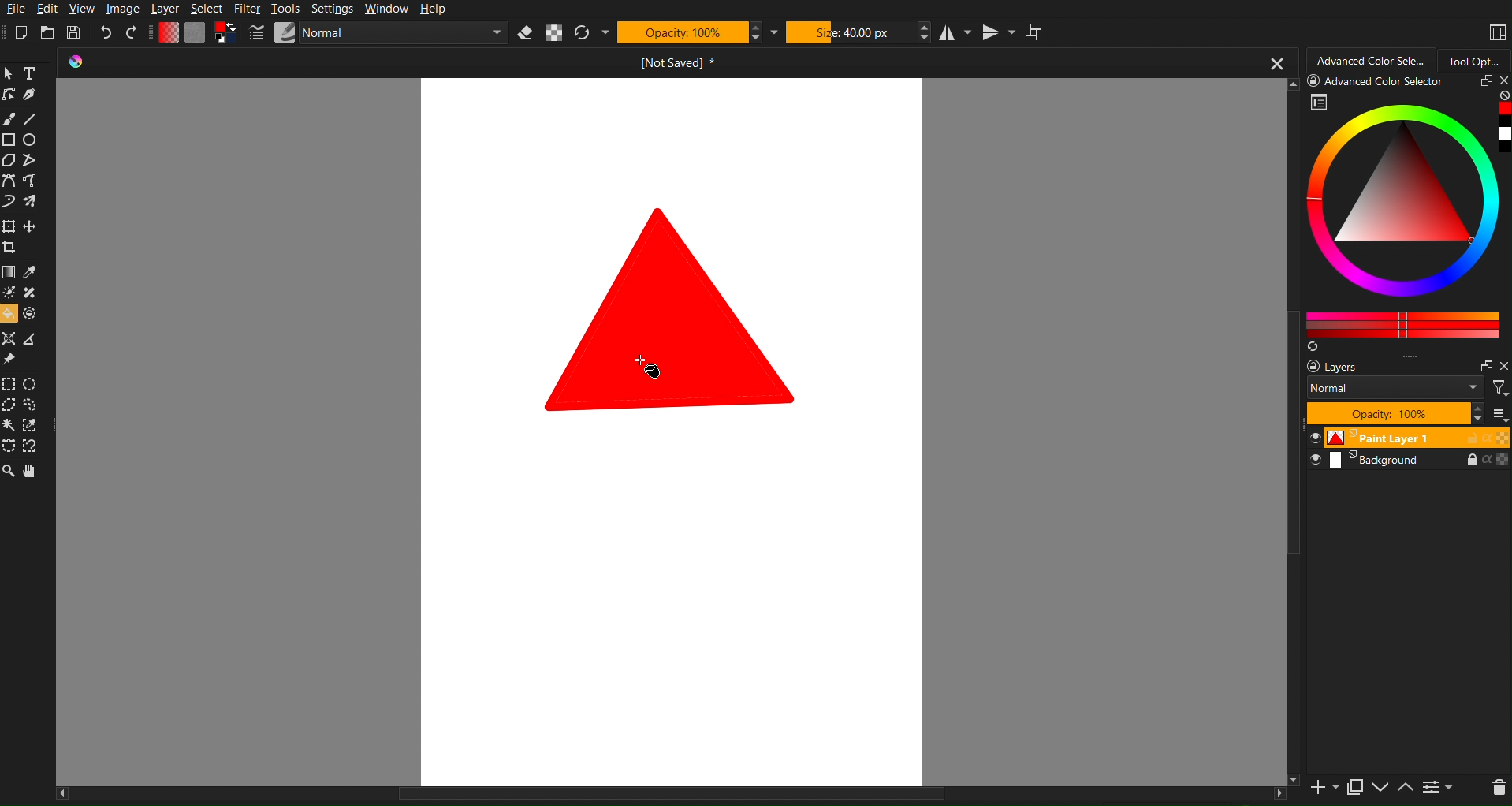 The width and height of the screenshot is (1512, 806). What do you see at coordinates (670, 797) in the screenshot?
I see `scroll bar` at bounding box center [670, 797].